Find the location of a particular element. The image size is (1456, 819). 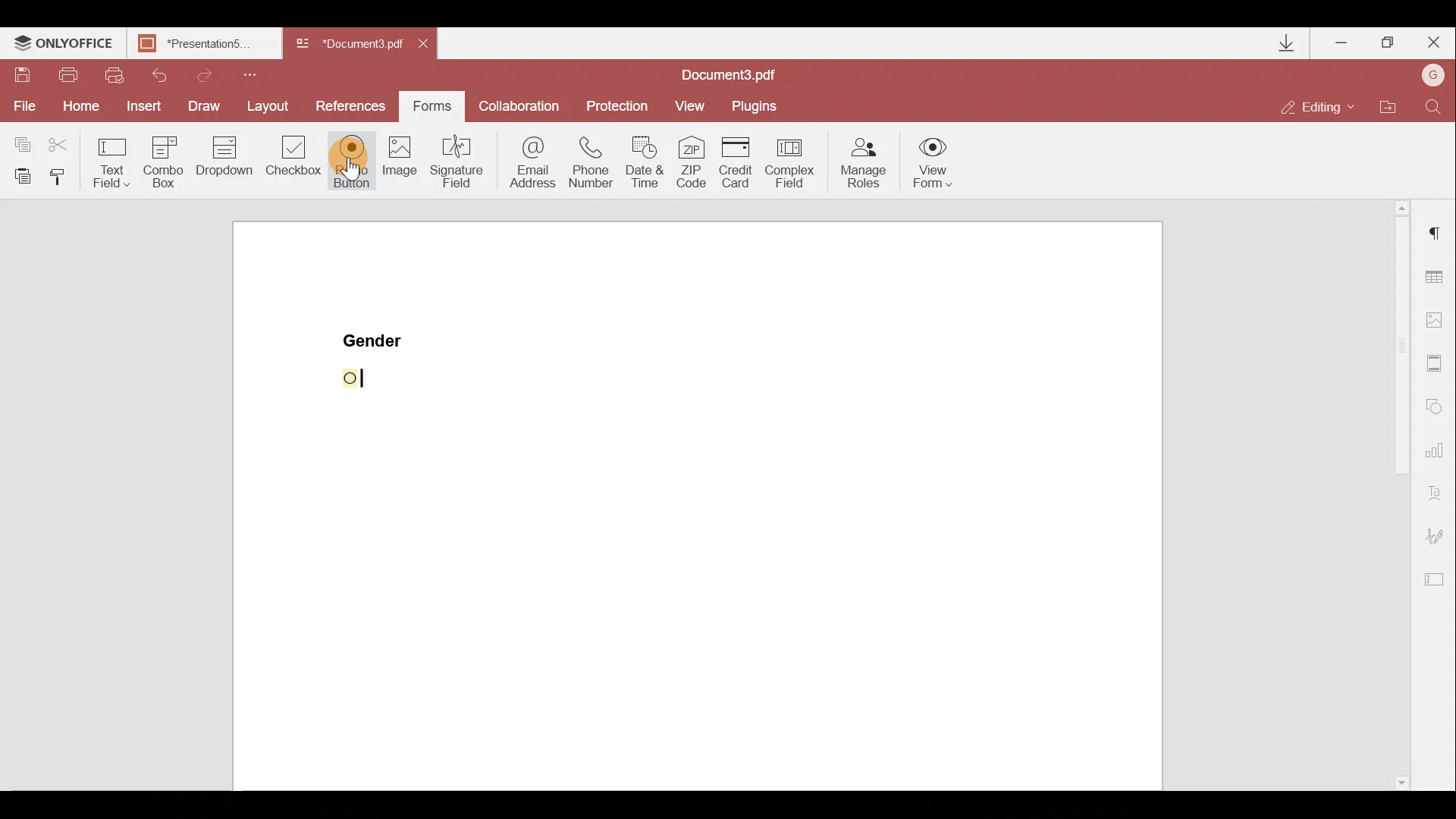

Dropdown is located at coordinates (224, 163).